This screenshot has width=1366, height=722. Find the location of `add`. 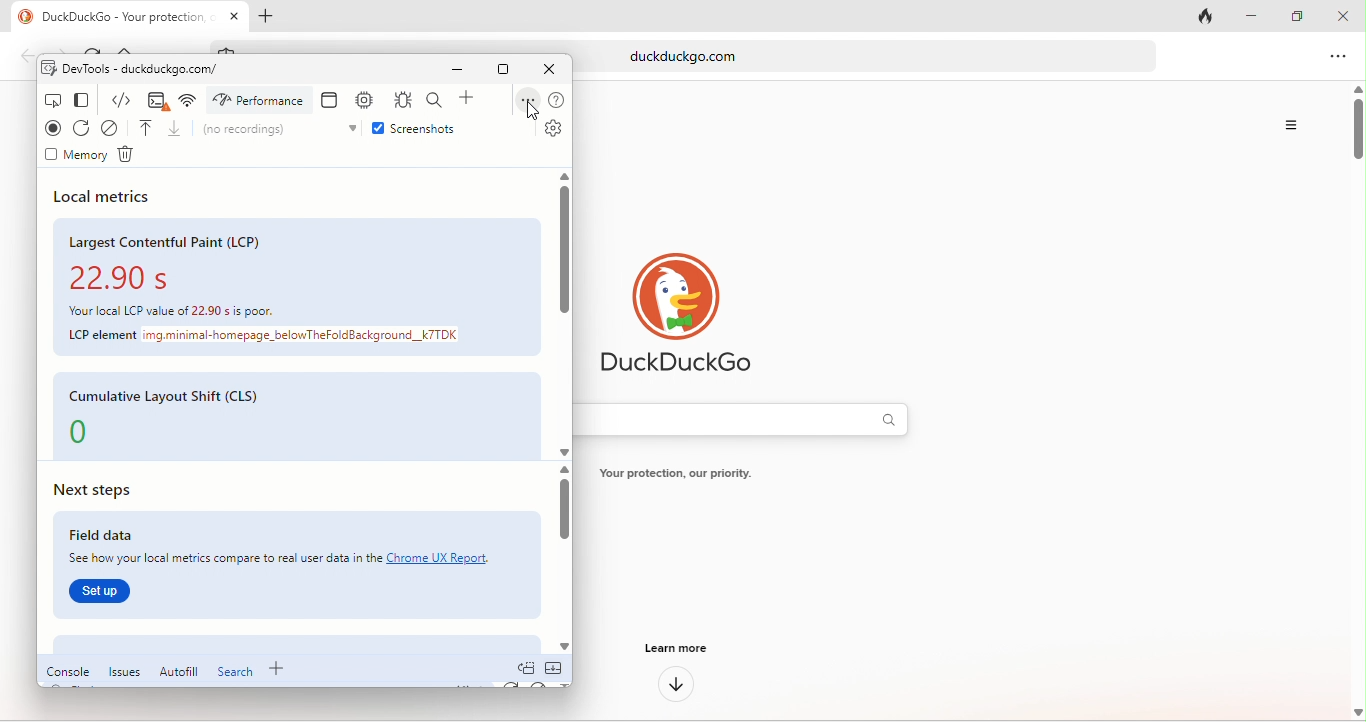

add is located at coordinates (282, 673).